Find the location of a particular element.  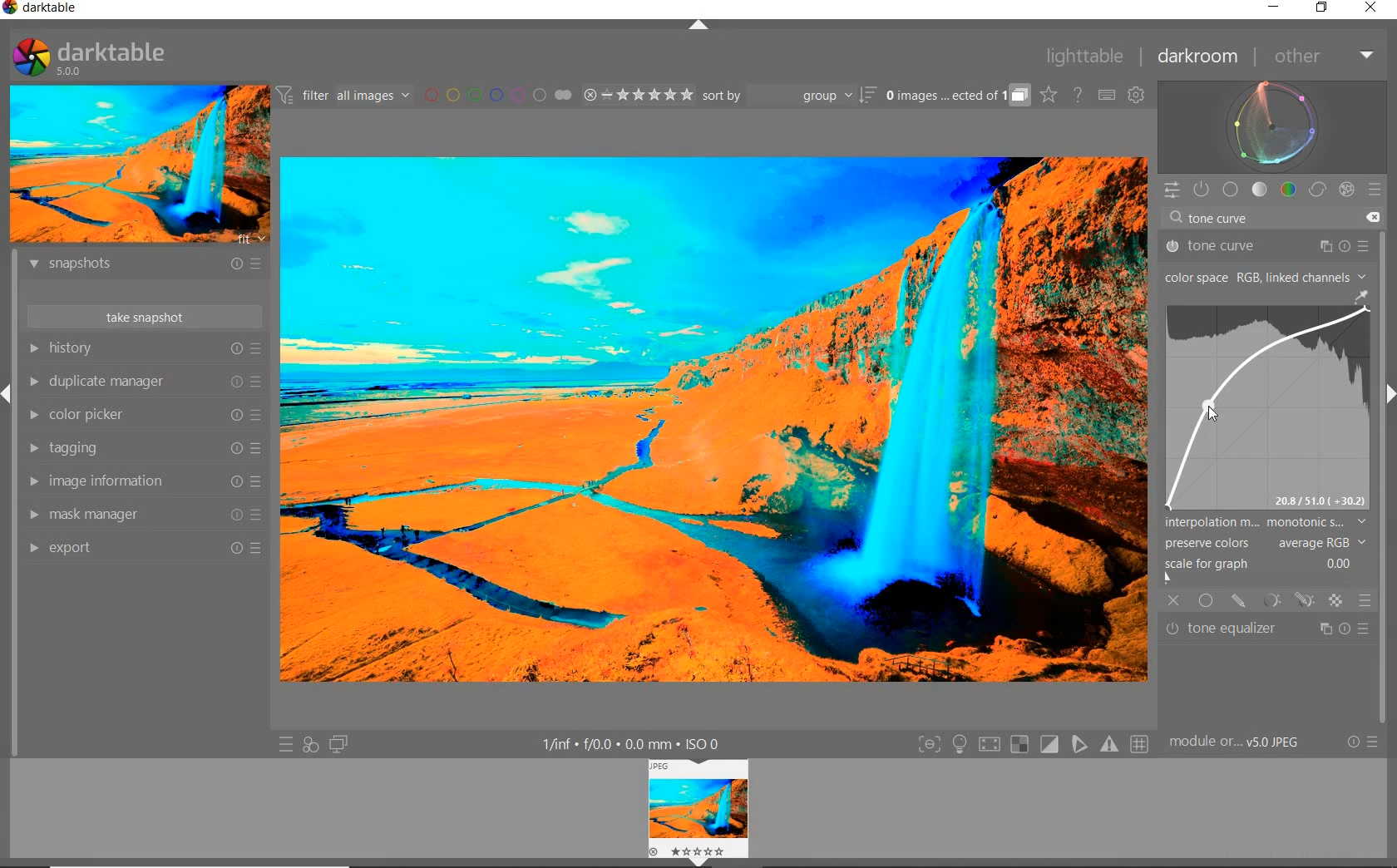

color is located at coordinates (1287, 190).